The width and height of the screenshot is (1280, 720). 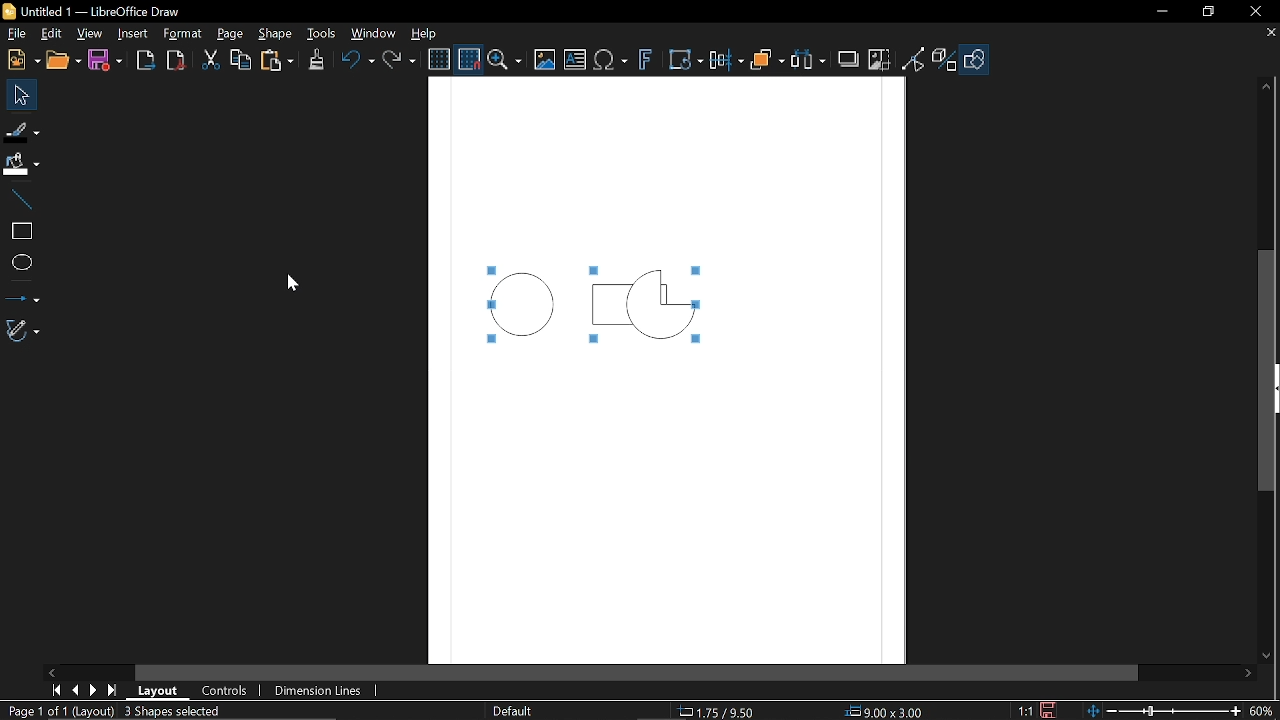 What do you see at coordinates (72, 690) in the screenshot?
I see `Previous page` at bounding box center [72, 690].